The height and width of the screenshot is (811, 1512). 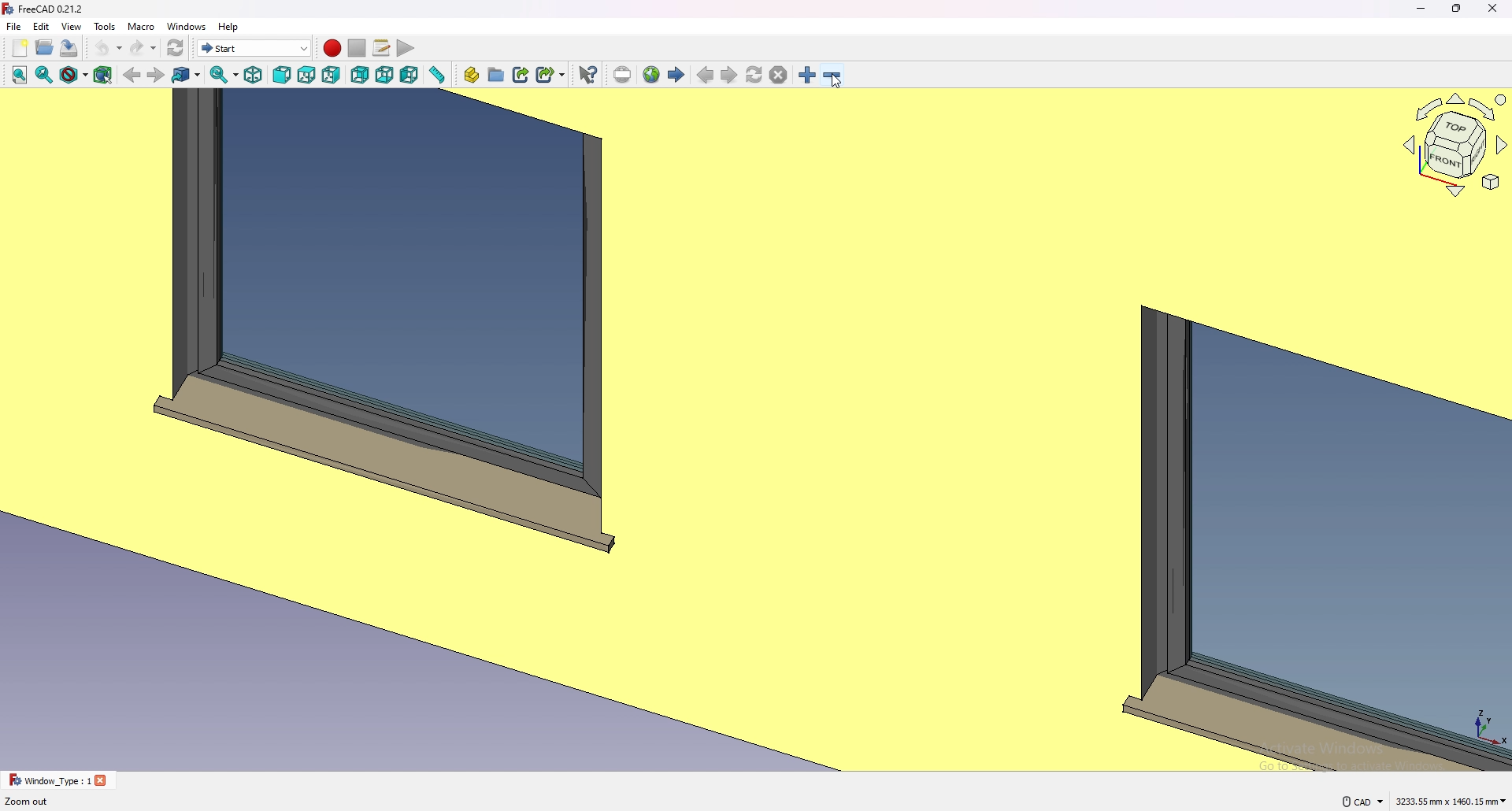 What do you see at coordinates (28, 802) in the screenshot?
I see `description` at bounding box center [28, 802].